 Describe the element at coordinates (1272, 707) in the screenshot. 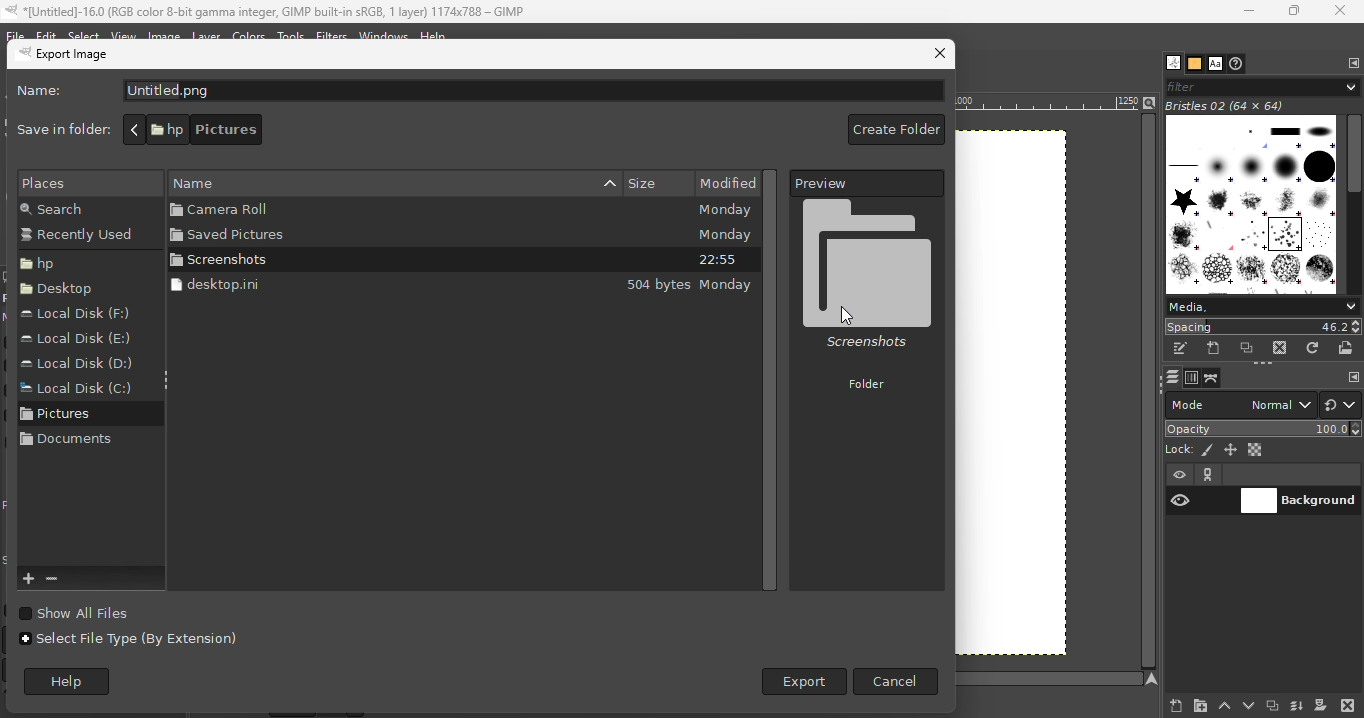

I see `Create the duplicate of the layer` at that location.